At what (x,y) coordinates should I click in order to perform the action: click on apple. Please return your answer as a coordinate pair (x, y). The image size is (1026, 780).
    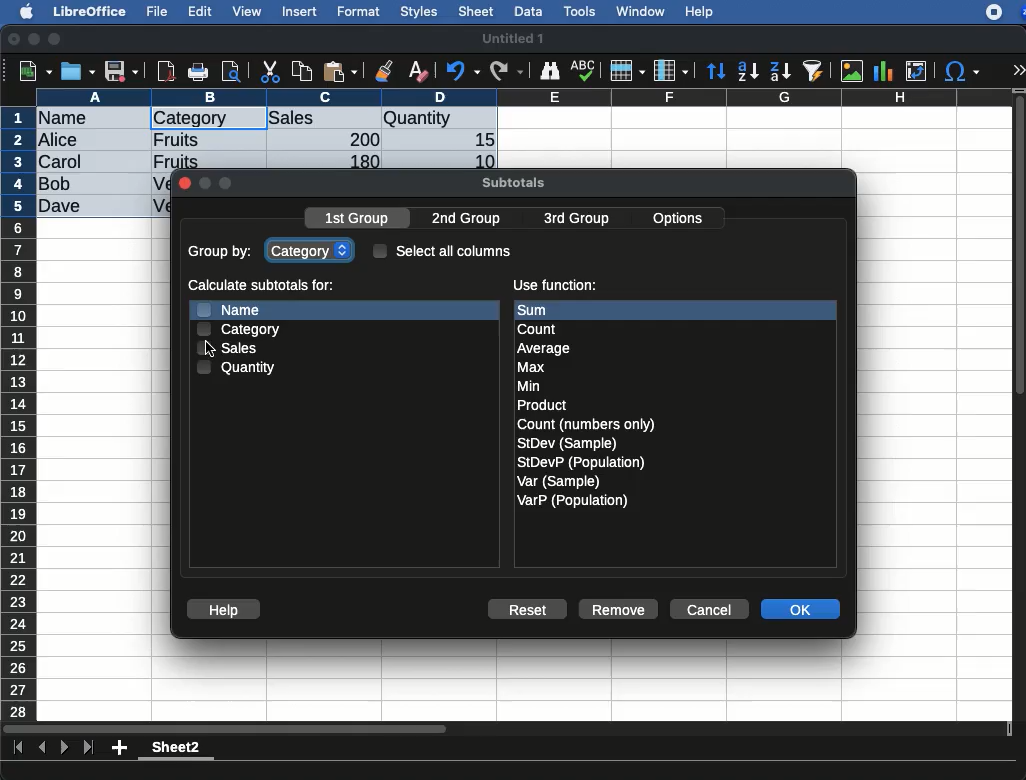
    Looking at the image, I should click on (21, 10).